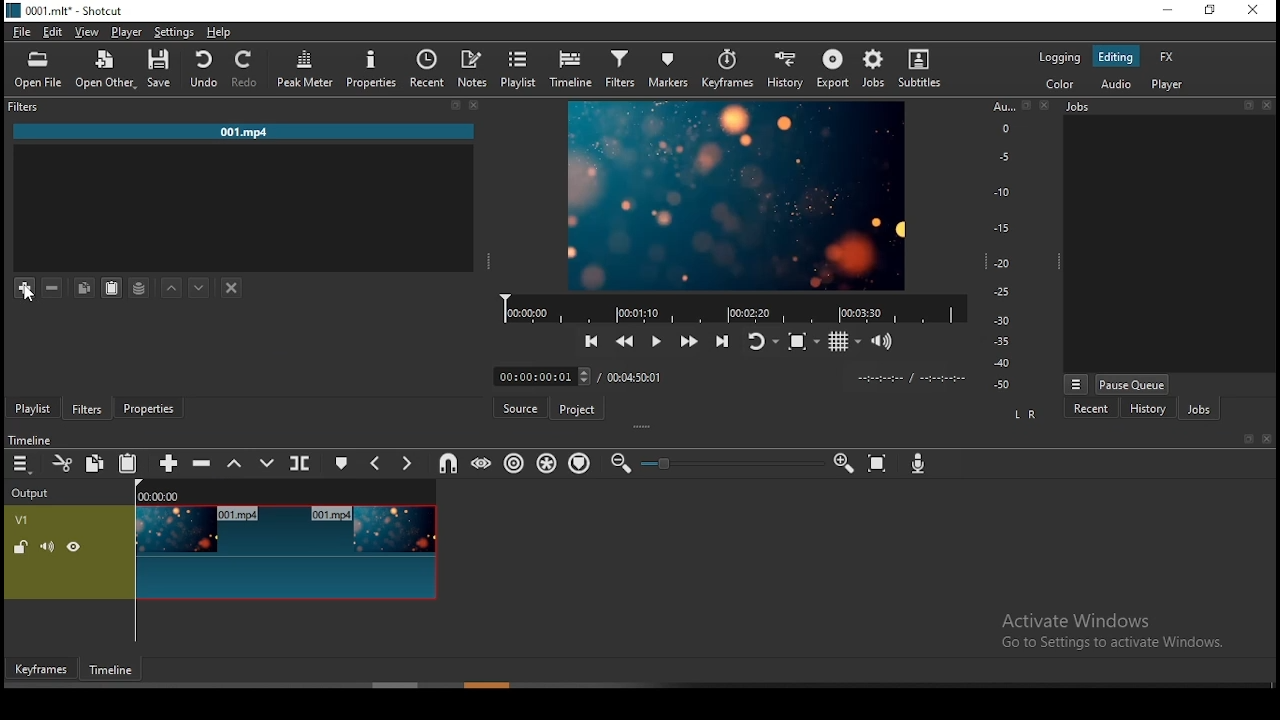 This screenshot has width=1280, height=720. Describe the element at coordinates (1112, 82) in the screenshot. I see `audio` at that location.